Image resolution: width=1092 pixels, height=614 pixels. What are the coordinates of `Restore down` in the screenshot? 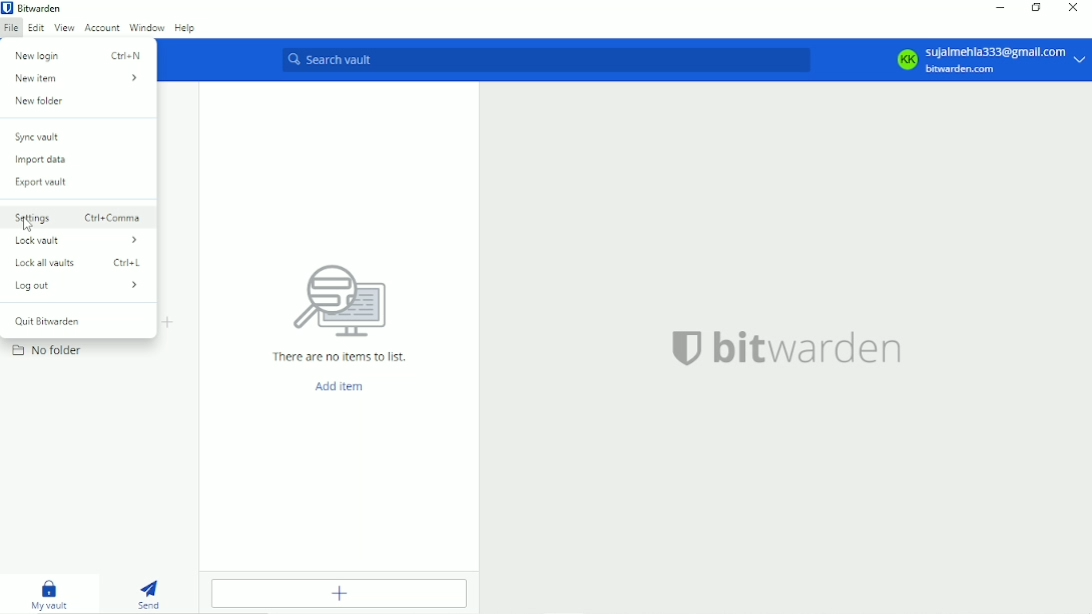 It's located at (1034, 8).